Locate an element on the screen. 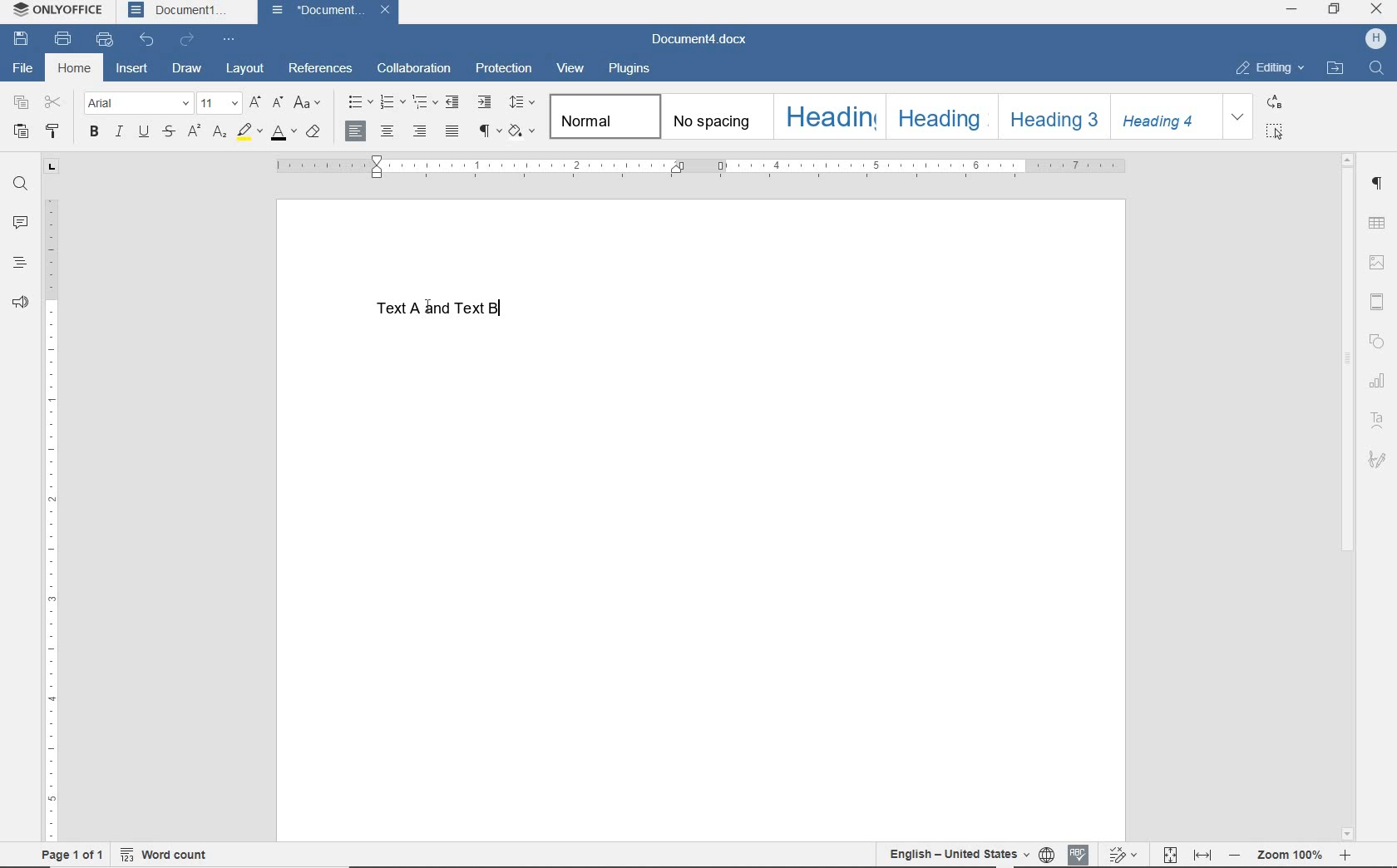 This screenshot has width=1397, height=868. ALIGN RIGHT is located at coordinates (419, 133).